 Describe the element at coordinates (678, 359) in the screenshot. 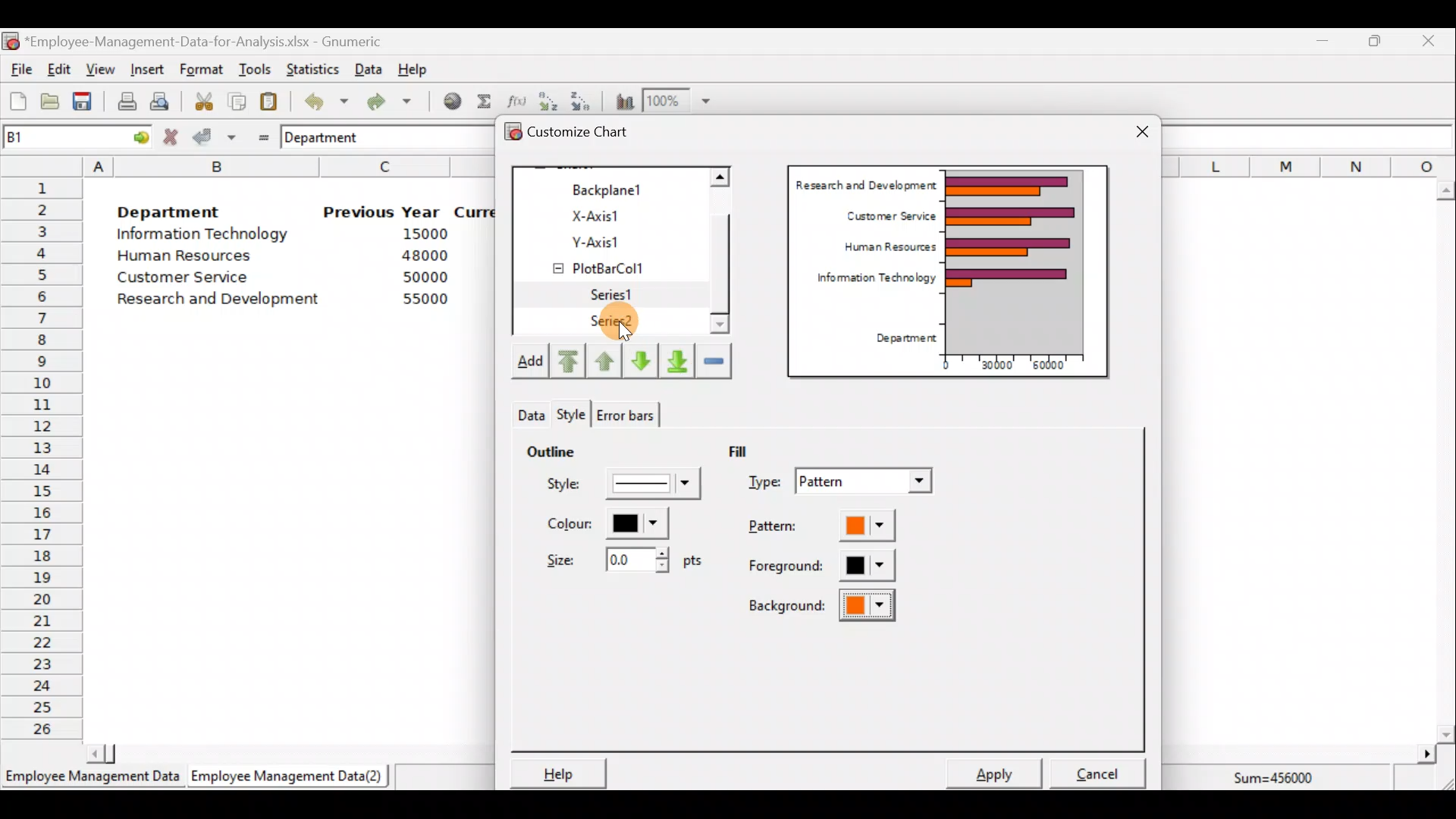

I see `Move downward` at that location.